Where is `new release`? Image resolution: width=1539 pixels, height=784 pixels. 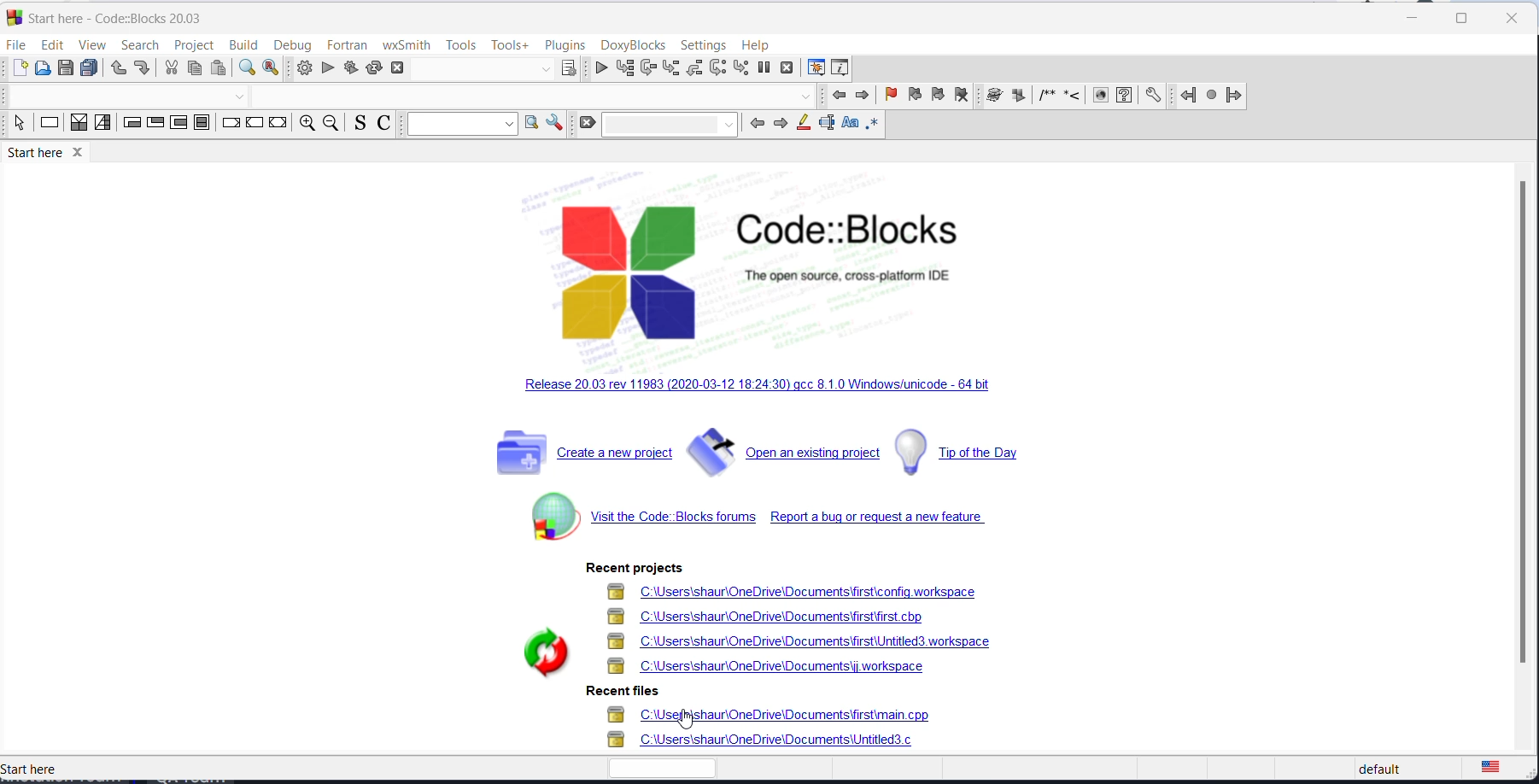
new release is located at coordinates (756, 389).